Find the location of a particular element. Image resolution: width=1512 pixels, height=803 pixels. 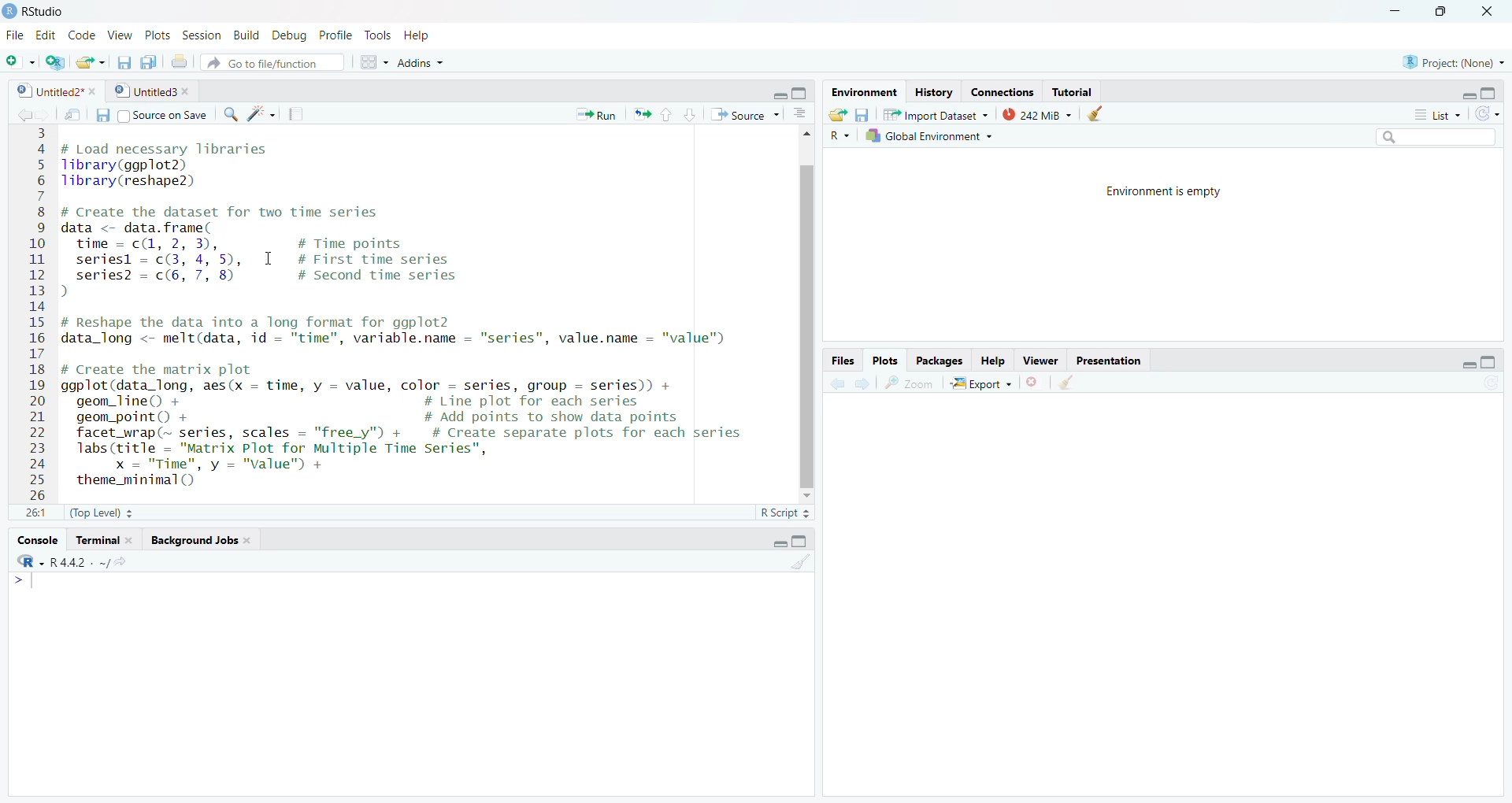

scroll down is located at coordinates (806, 497).